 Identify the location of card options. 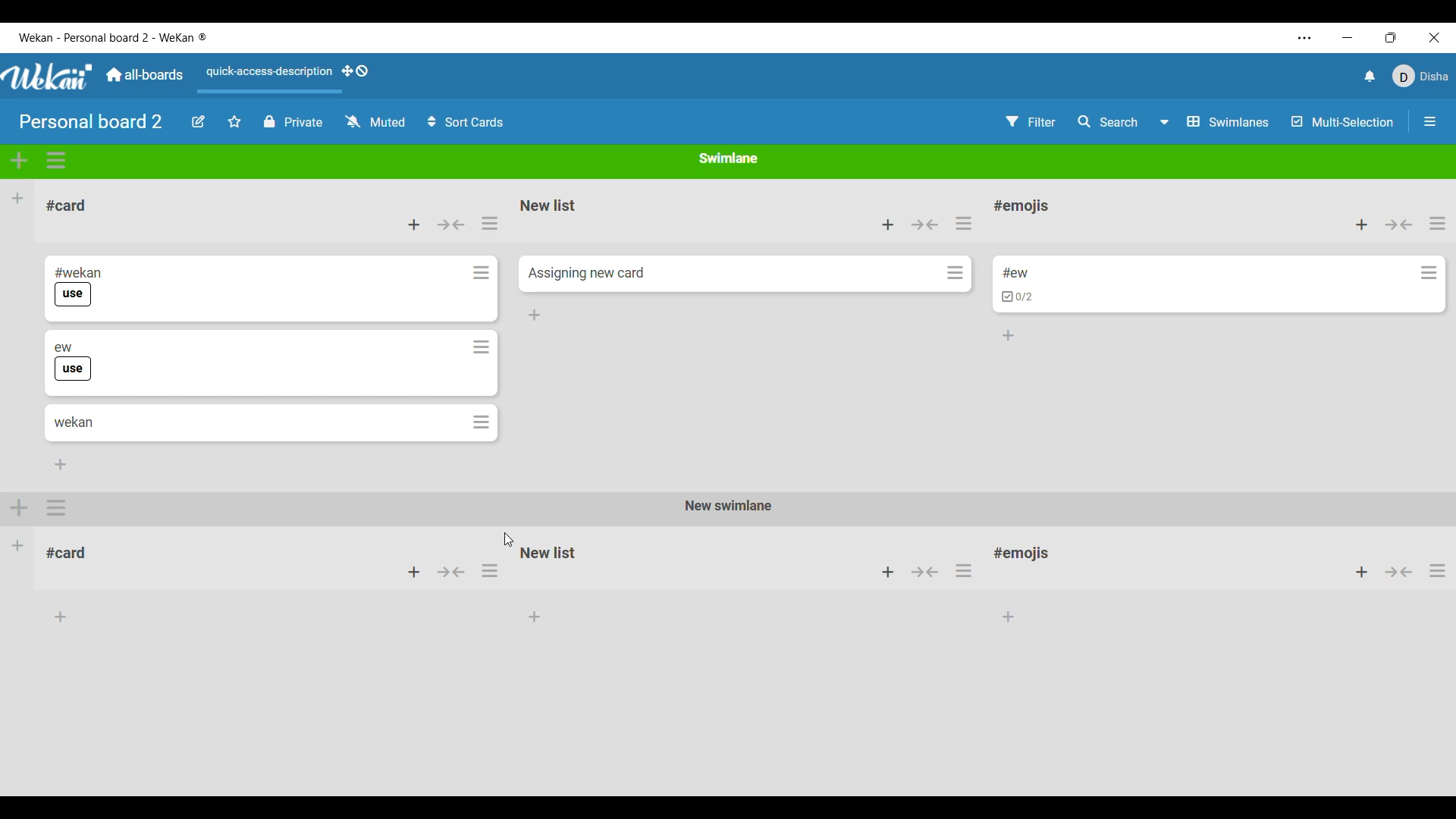
(482, 347).